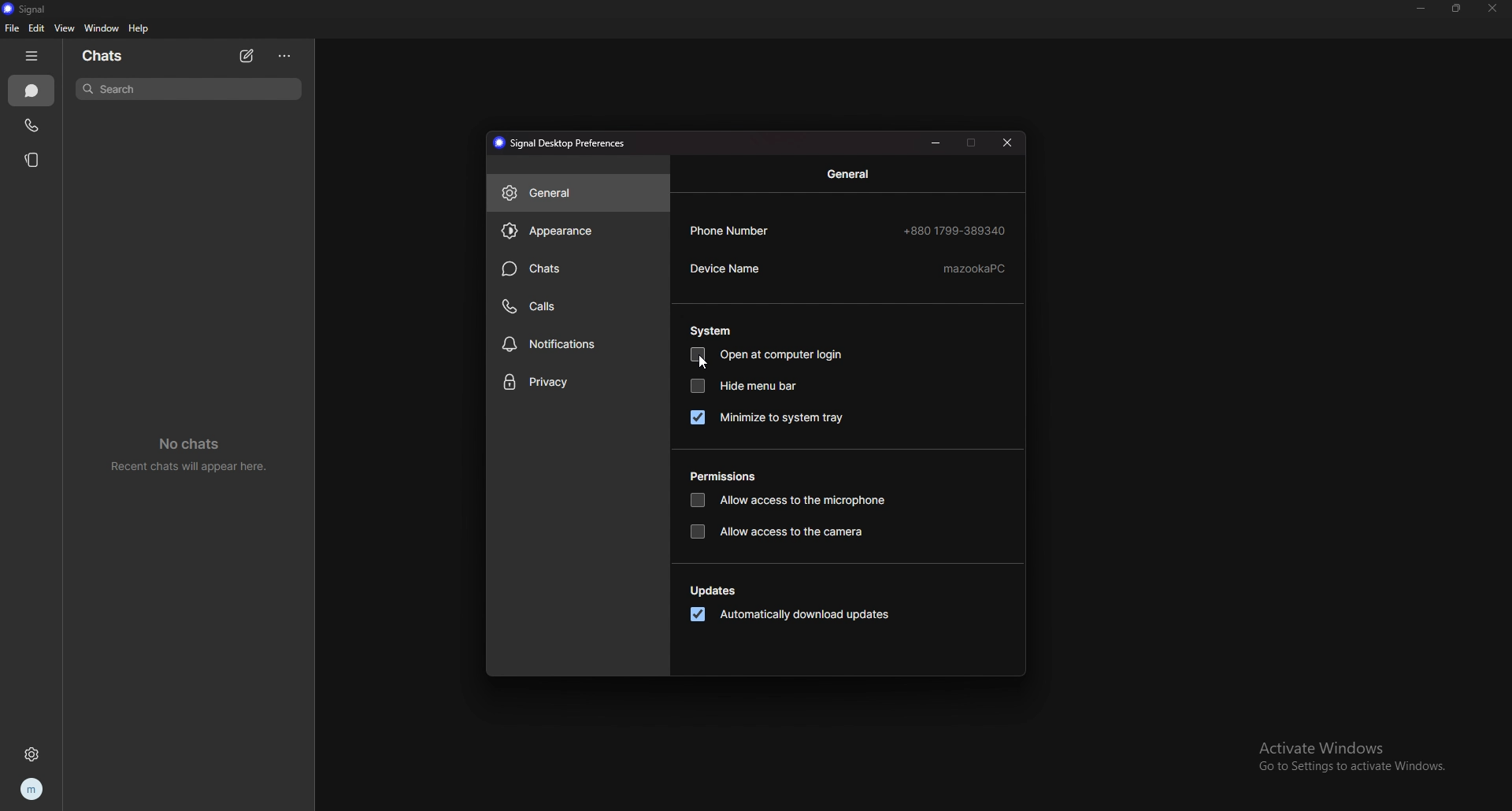 The width and height of the screenshot is (1512, 811). Describe the element at coordinates (104, 56) in the screenshot. I see `chats` at that location.